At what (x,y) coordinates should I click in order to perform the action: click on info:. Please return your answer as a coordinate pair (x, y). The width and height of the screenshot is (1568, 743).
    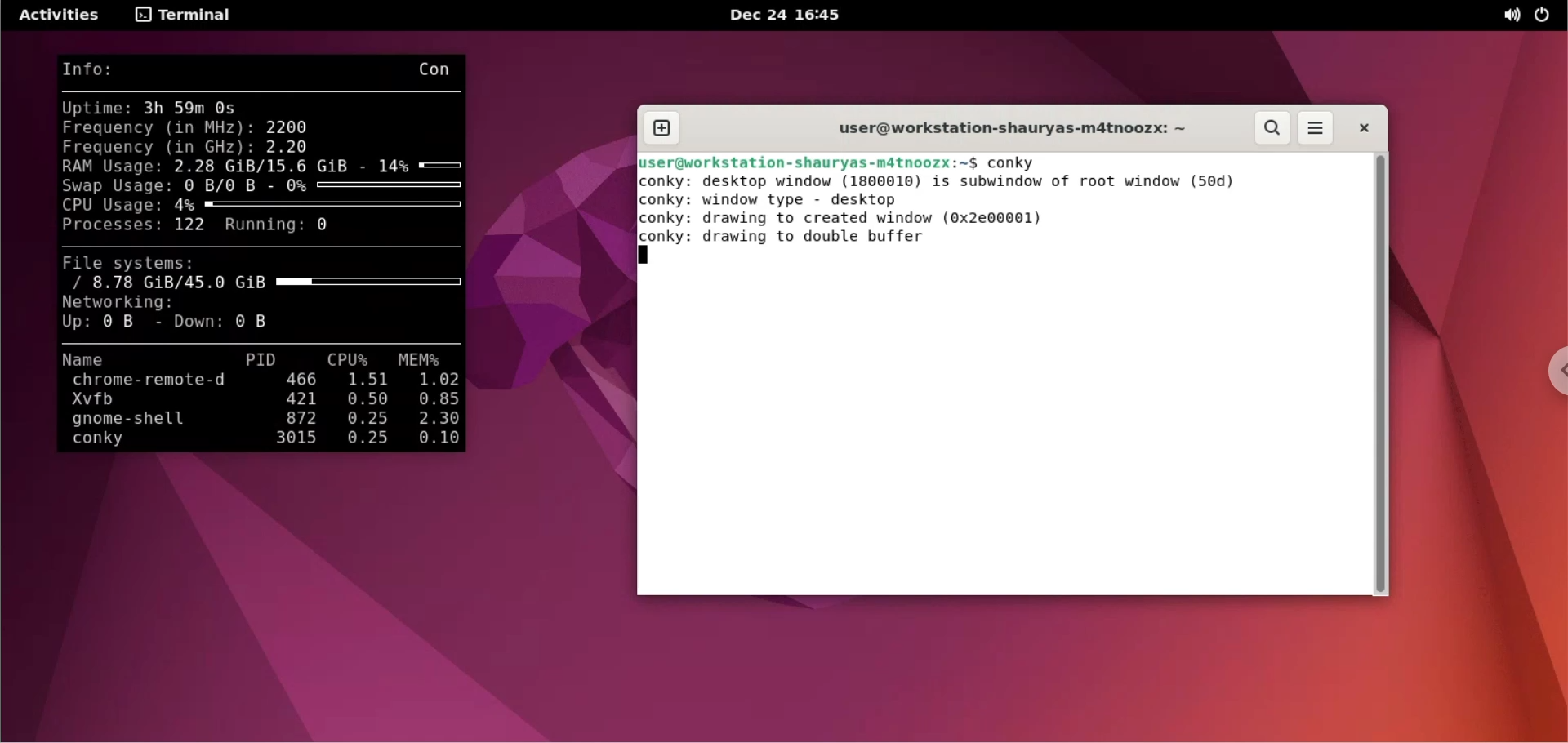
    Looking at the image, I should click on (106, 71).